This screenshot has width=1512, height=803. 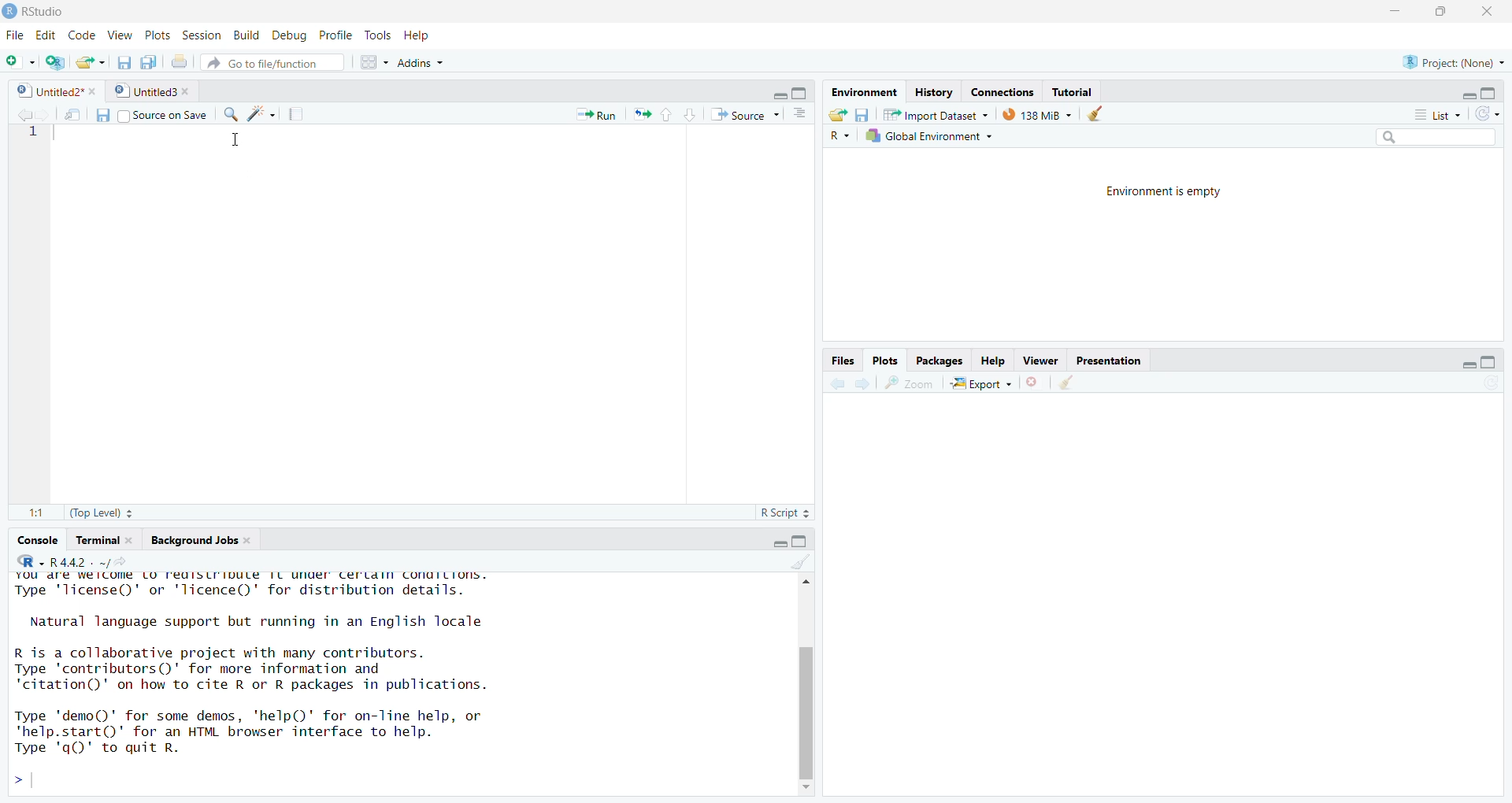 I want to click on Plots, so click(x=877, y=362).